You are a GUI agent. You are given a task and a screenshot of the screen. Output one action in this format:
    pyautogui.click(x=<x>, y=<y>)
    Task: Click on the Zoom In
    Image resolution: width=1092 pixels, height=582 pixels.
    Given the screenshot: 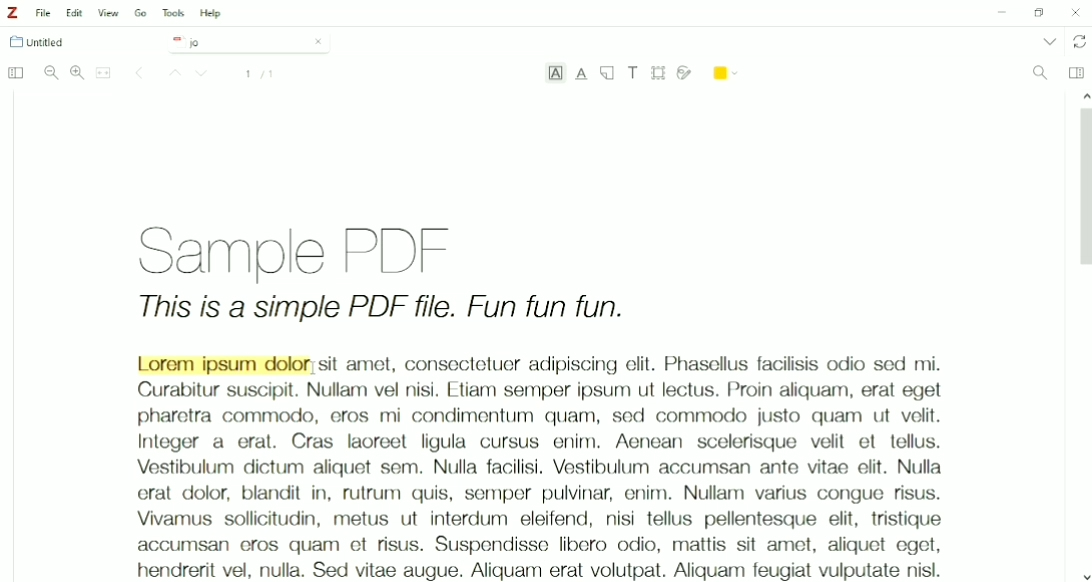 What is the action you would take?
    pyautogui.click(x=77, y=72)
    